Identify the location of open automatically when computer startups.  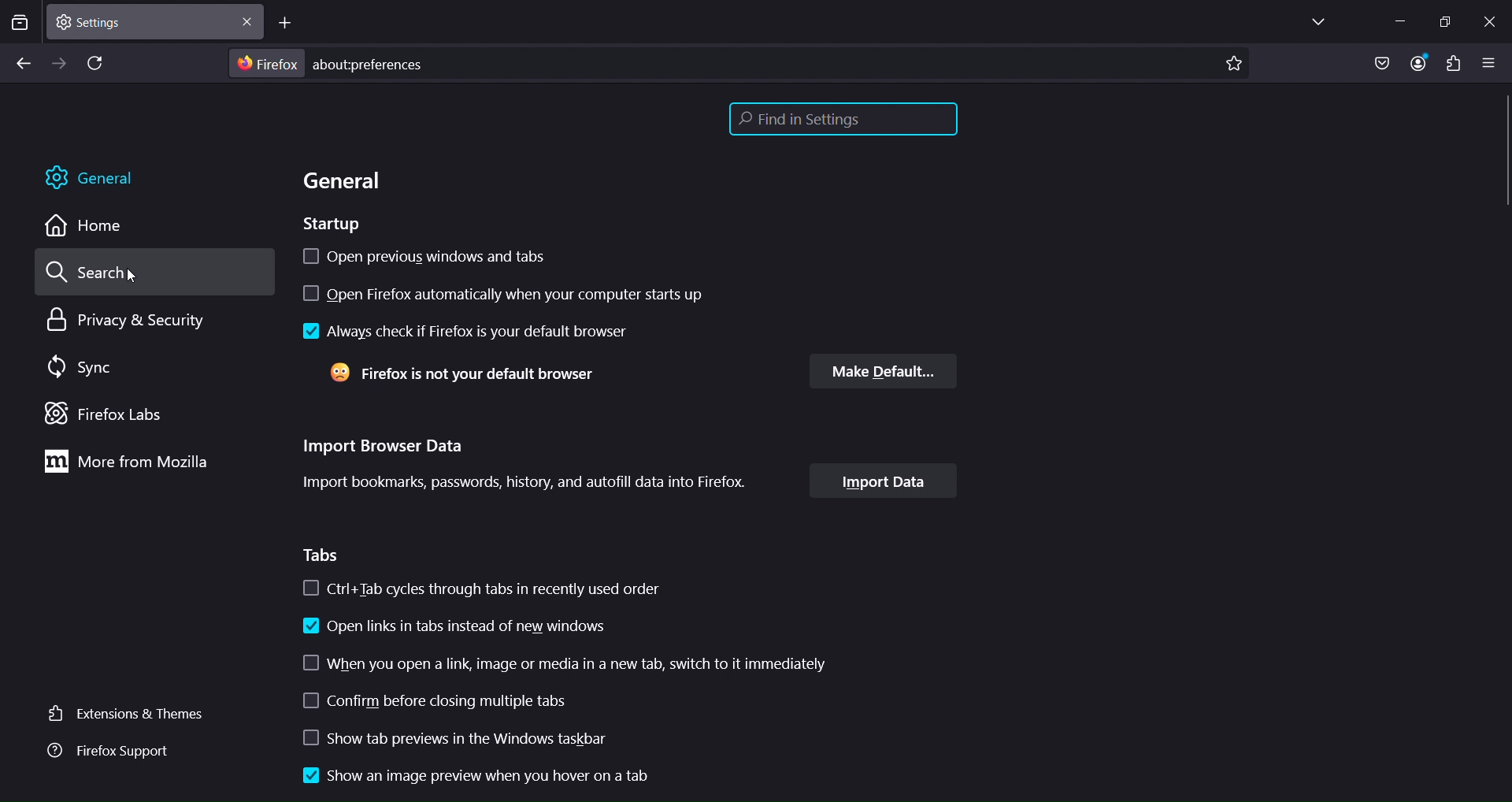
(524, 296).